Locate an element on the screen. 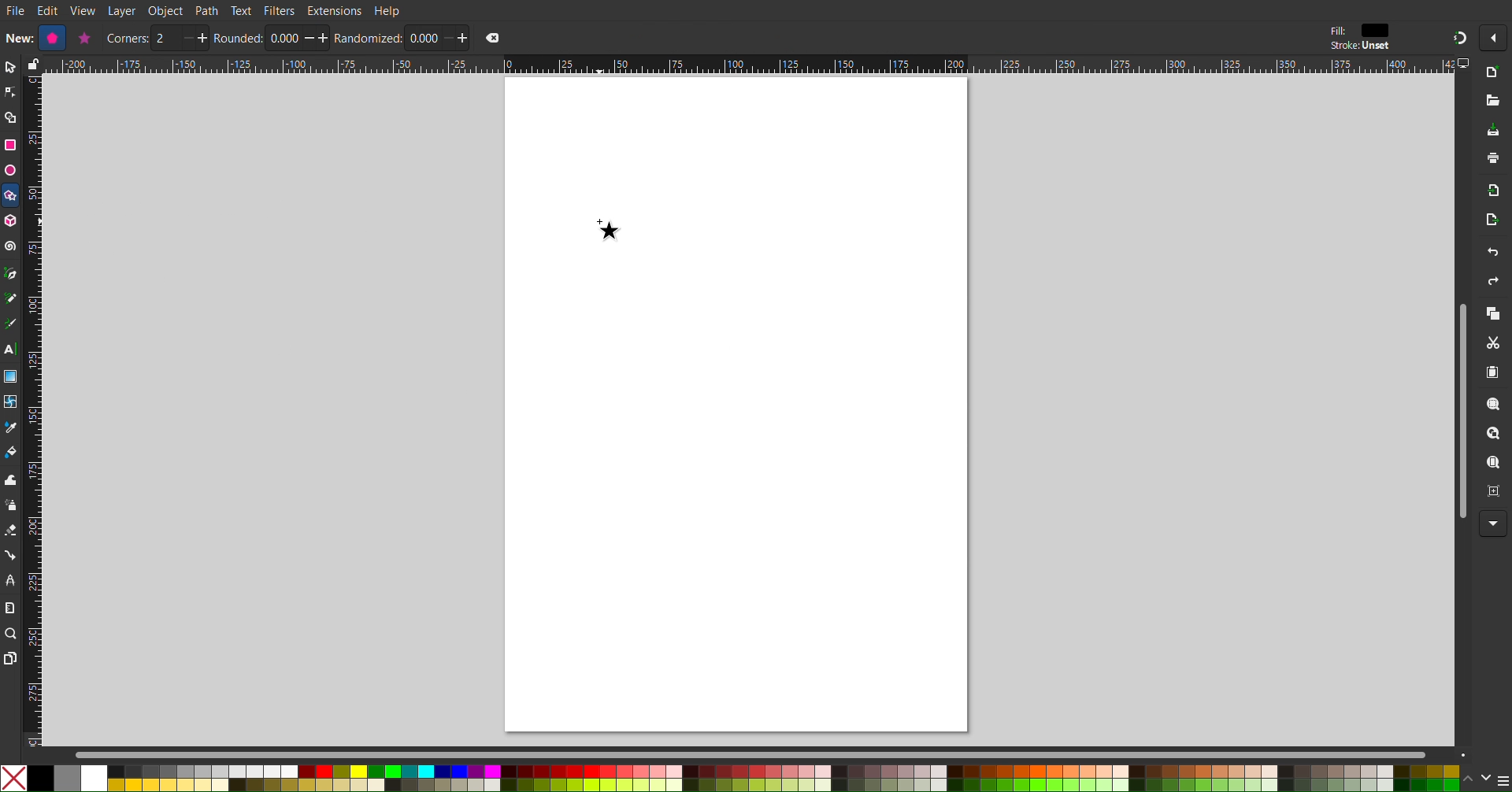  rounded is located at coordinates (239, 38).